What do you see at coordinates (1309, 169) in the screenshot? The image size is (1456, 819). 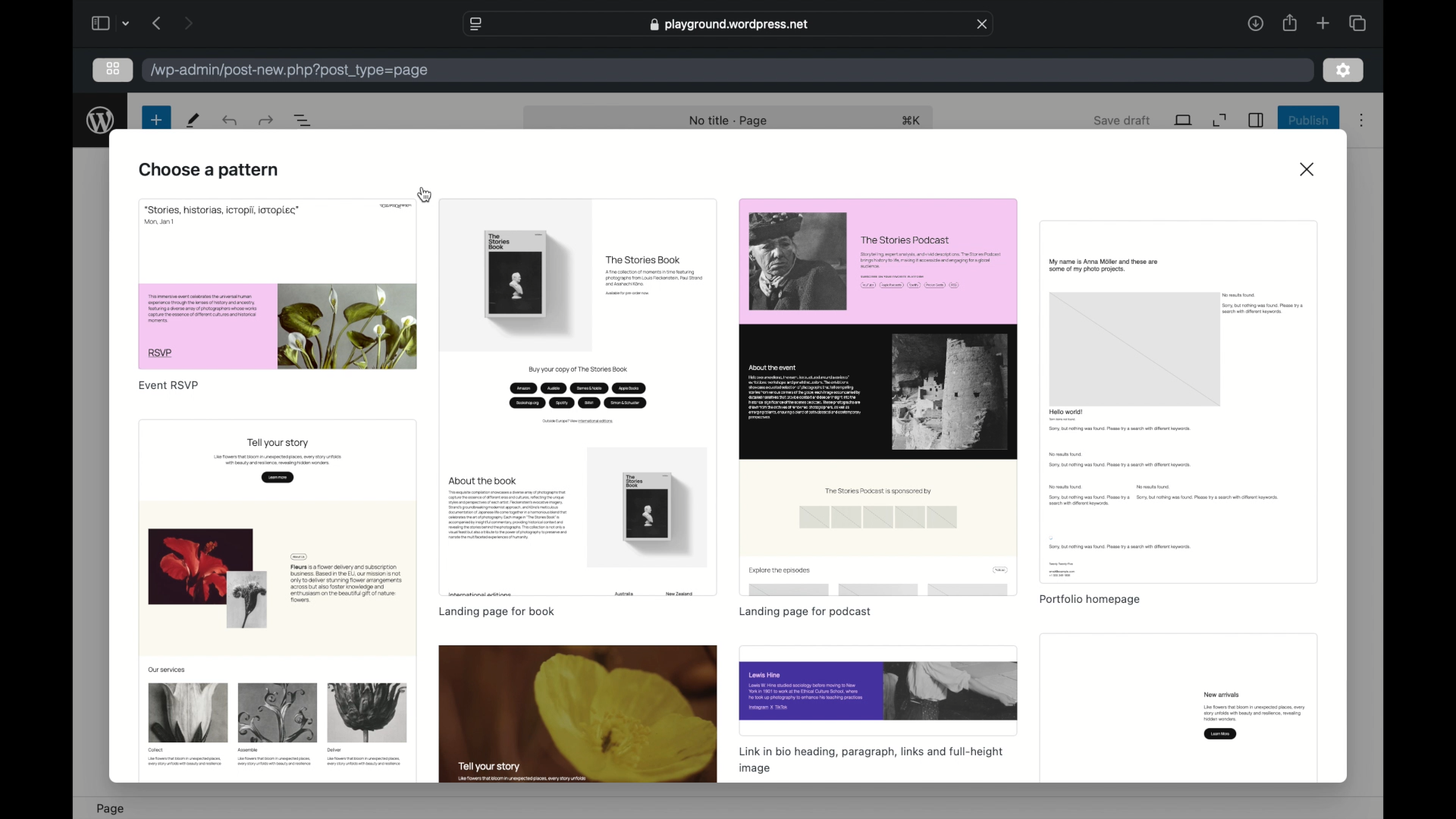 I see `close` at bounding box center [1309, 169].